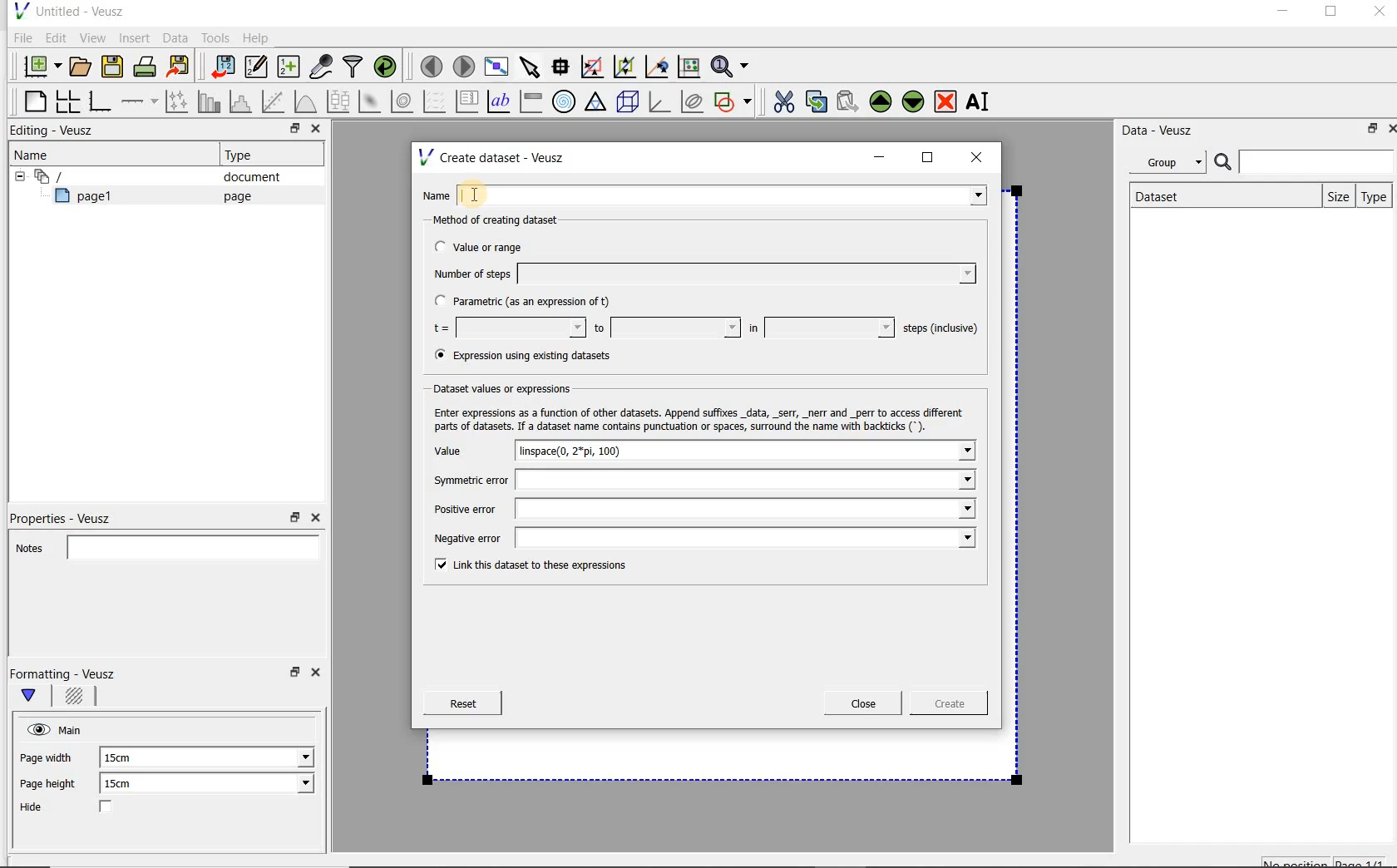 The image size is (1397, 868). Describe the element at coordinates (1166, 195) in the screenshot. I see `Dataset` at that location.